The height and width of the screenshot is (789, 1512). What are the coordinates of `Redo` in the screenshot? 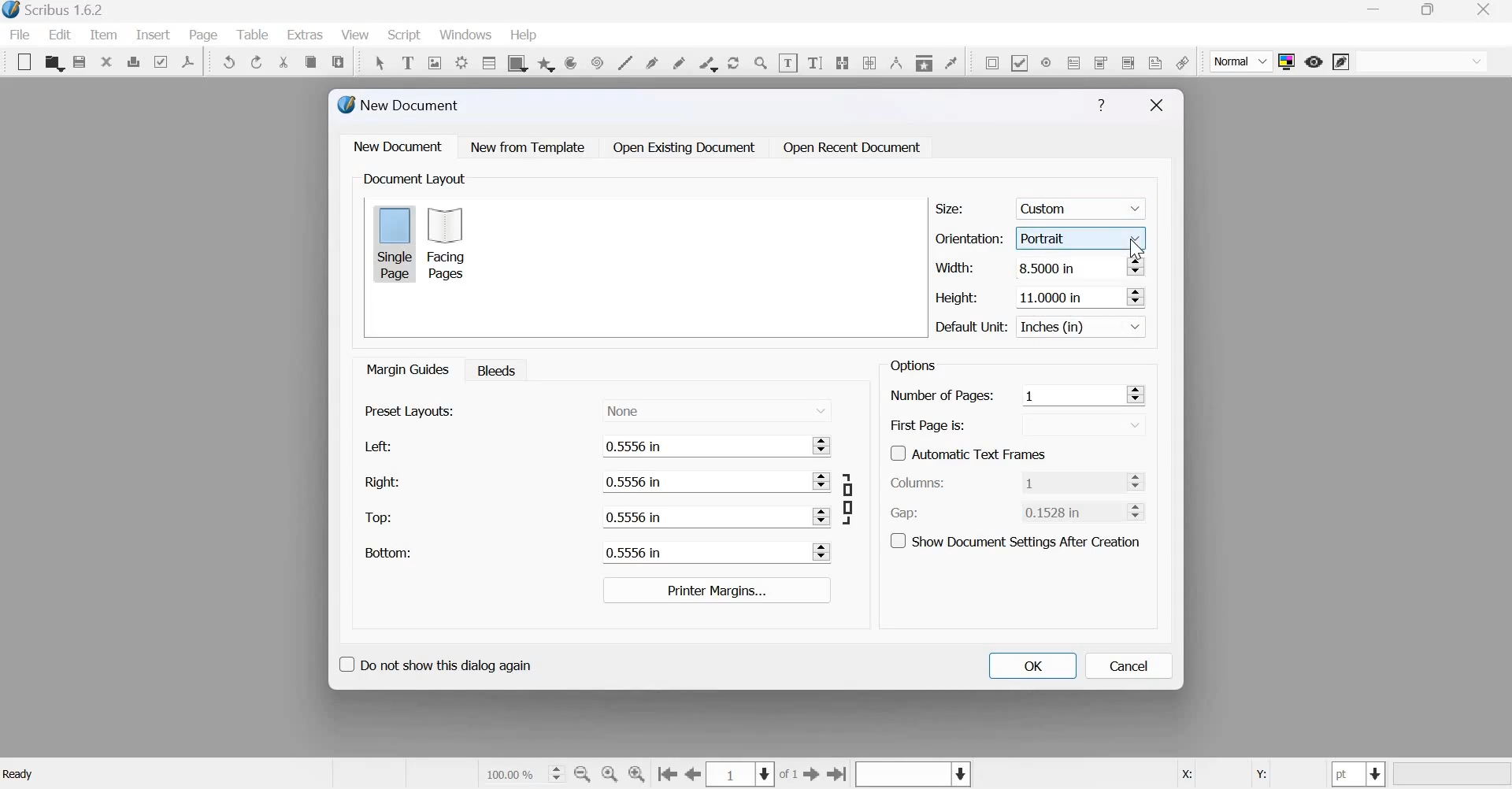 It's located at (258, 62).